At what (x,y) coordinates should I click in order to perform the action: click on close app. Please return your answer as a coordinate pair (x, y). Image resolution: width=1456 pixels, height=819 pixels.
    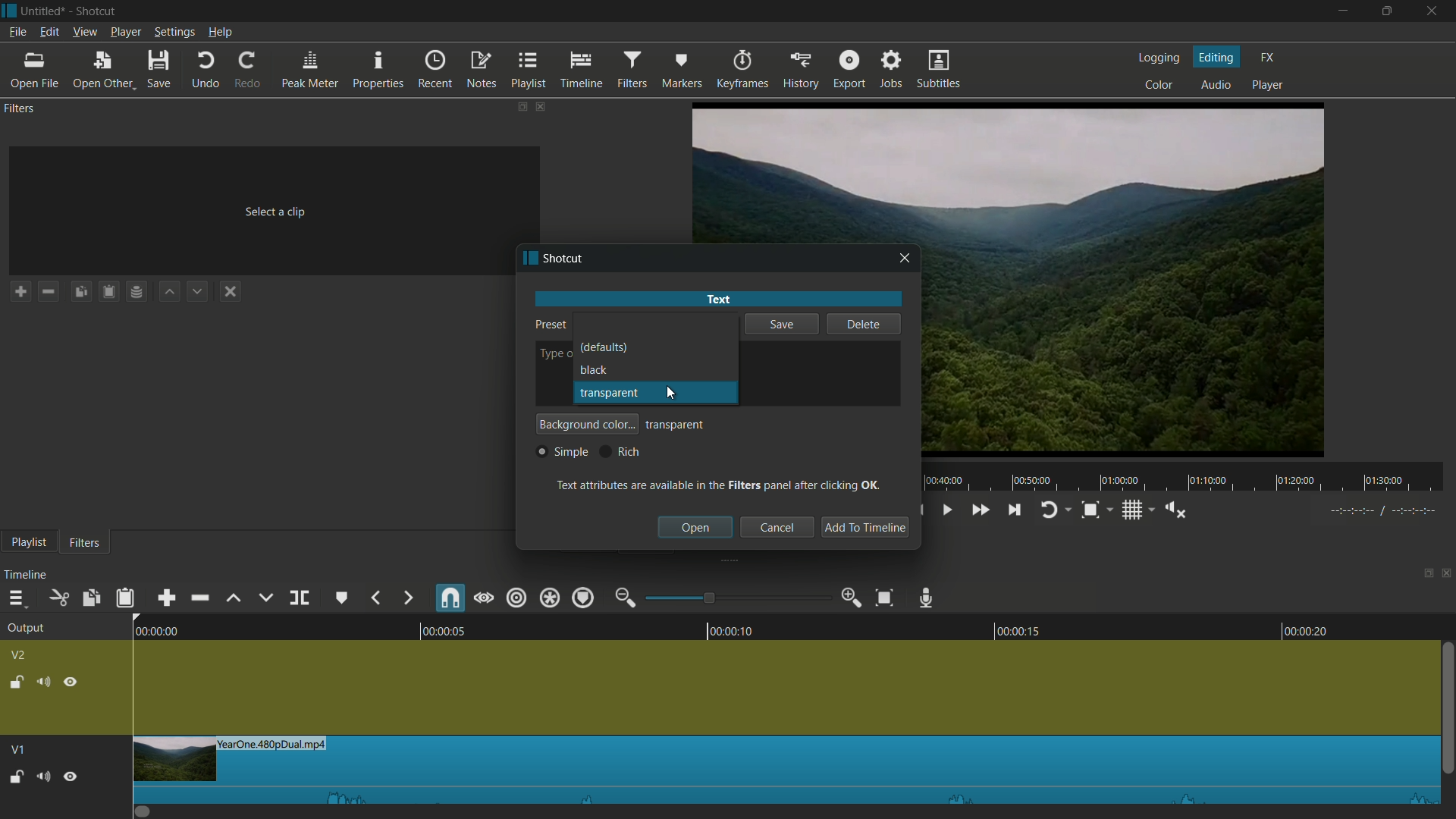
    Looking at the image, I should click on (1434, 11).